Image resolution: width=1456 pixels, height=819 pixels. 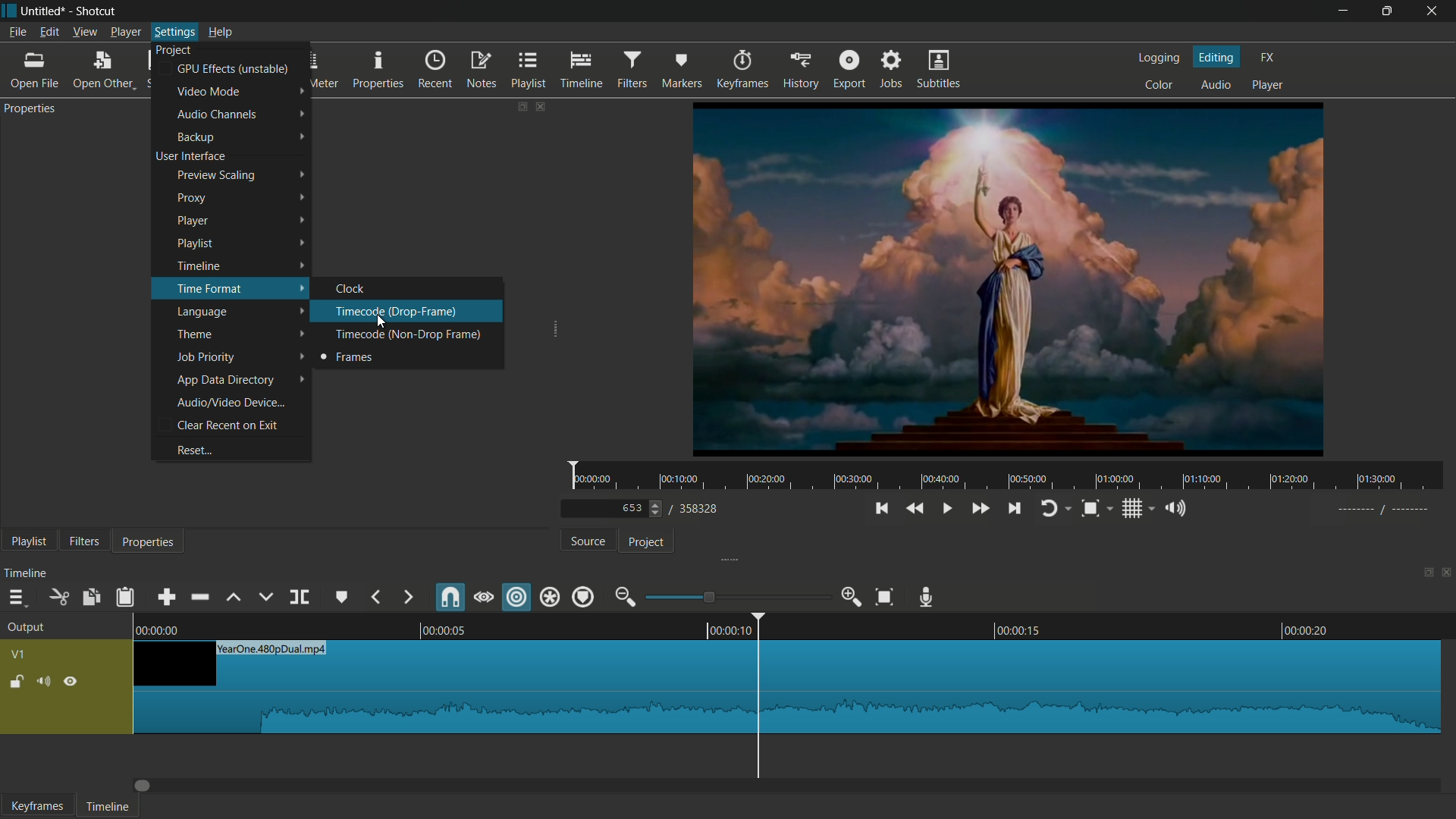 I want to click on timeline, so click(x=110, y=808).